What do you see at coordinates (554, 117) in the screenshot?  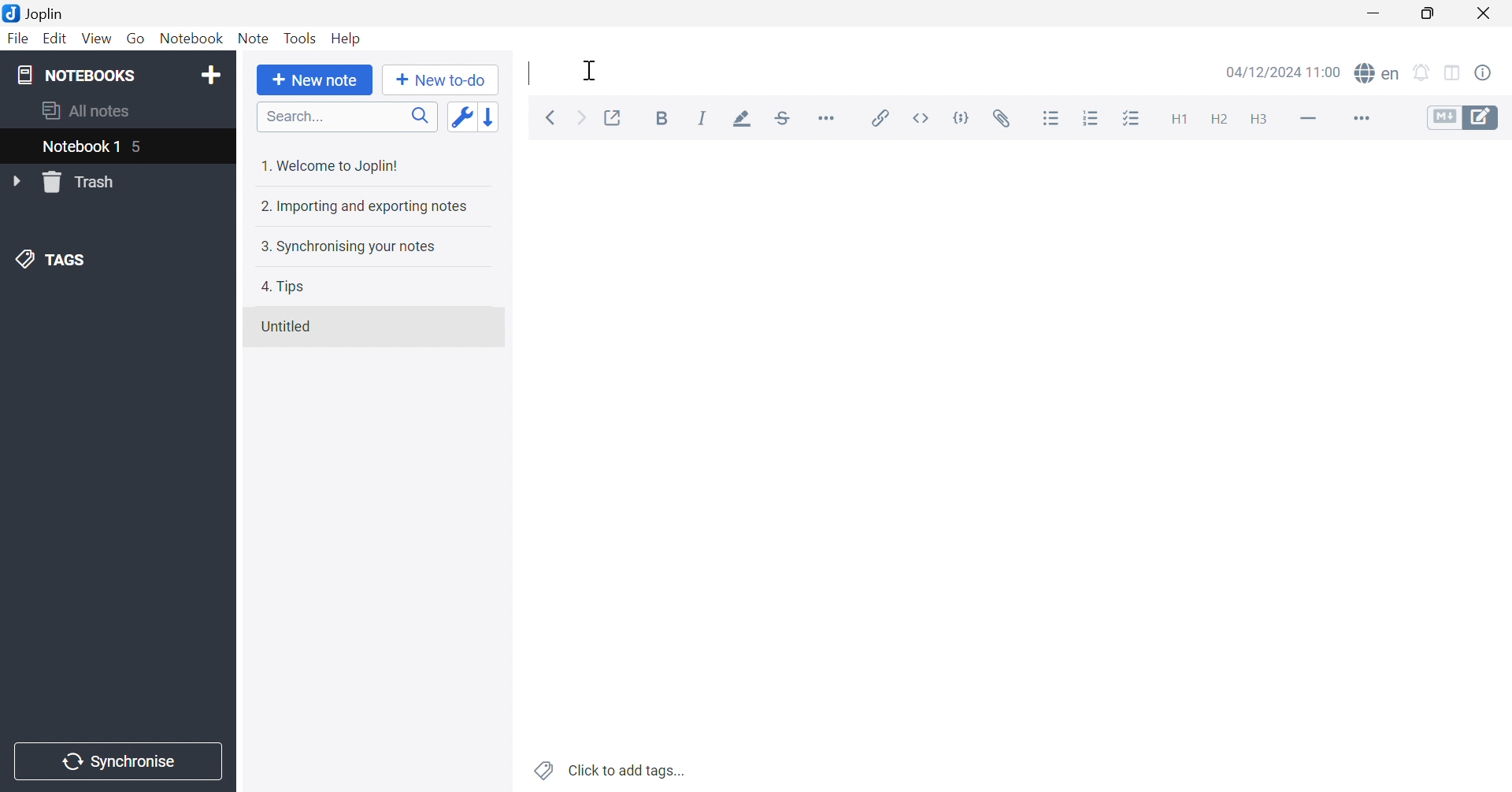 I see `Back` at bounding box center [554, 117].